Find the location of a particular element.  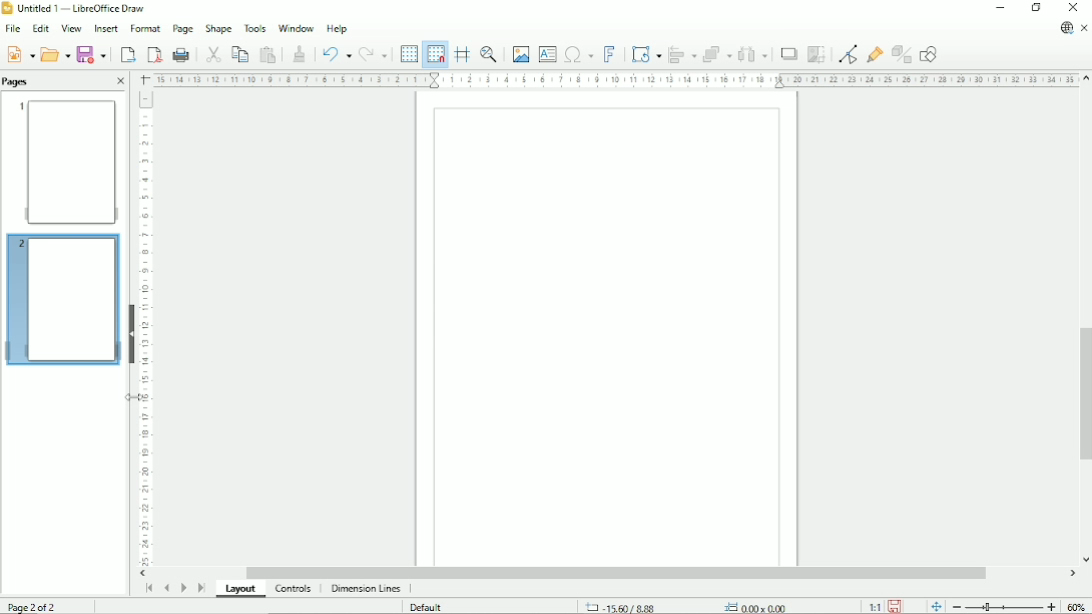

Scroll to first page is located at coordinates (148, 588).